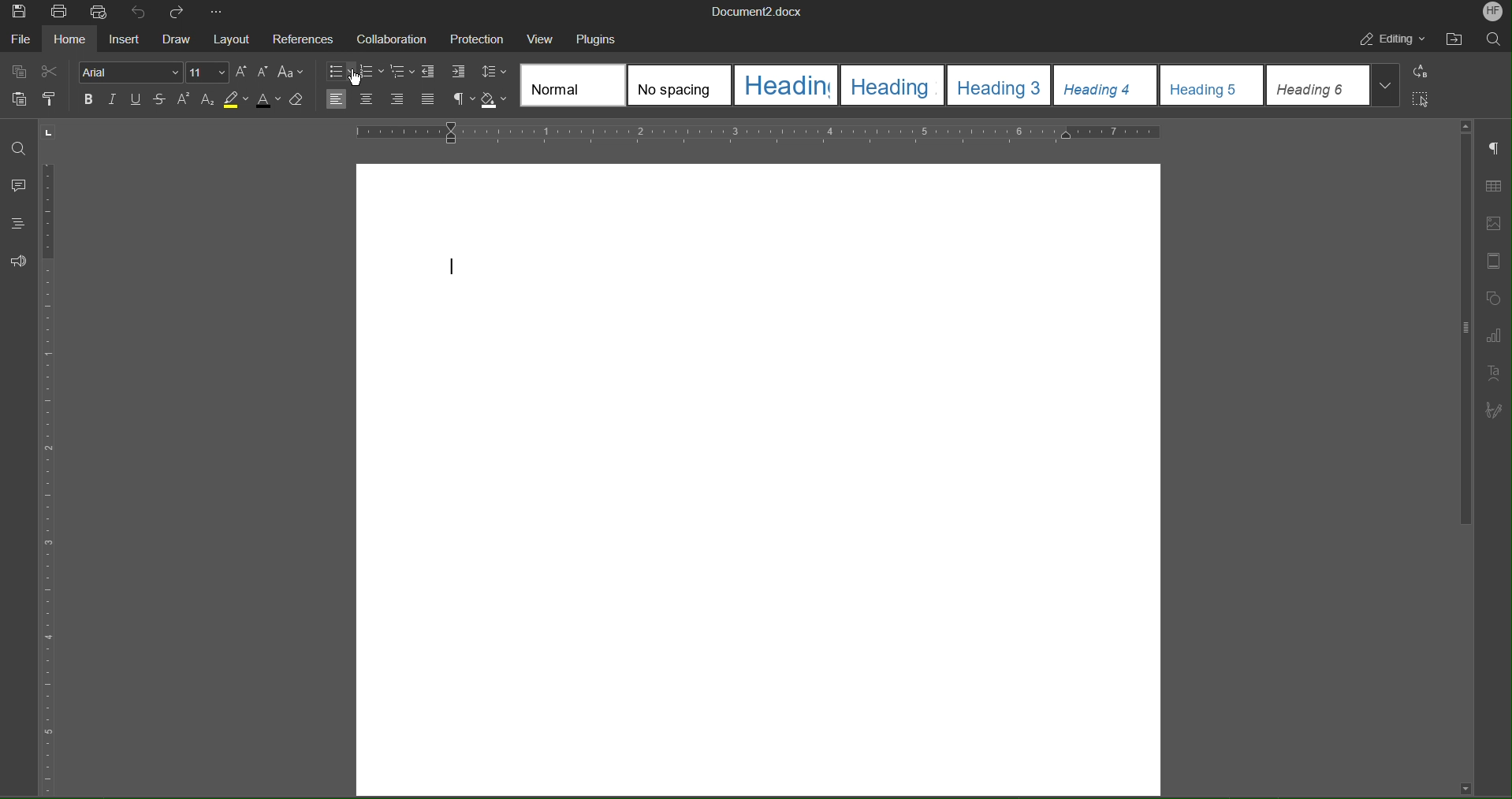 This screenshot has height=799, width=1512. I want to click on Collaboration, so click(397, 40).